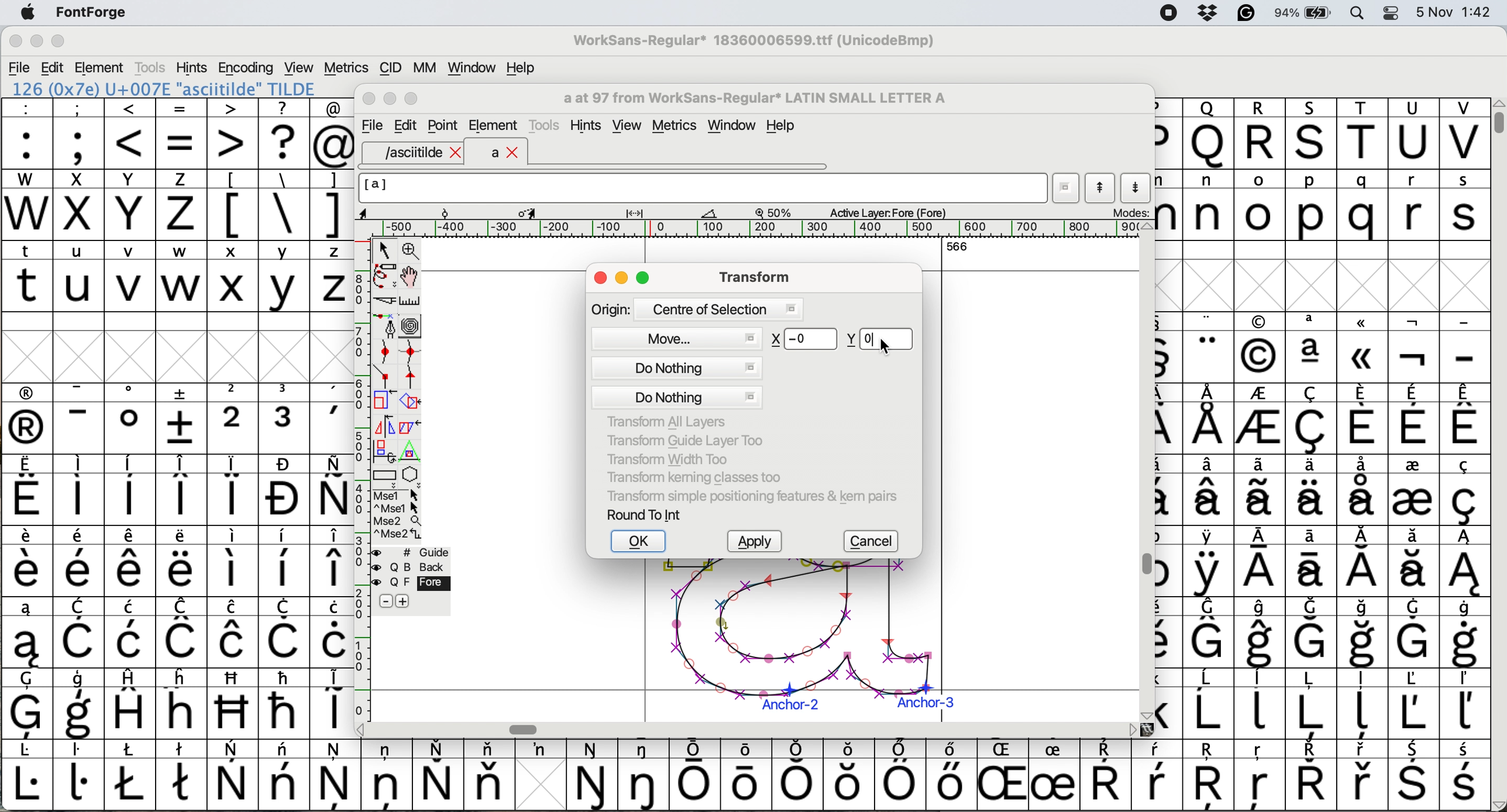 The image size is (1507, 812). Describe the element at coordinates (1365, 634) in the screenshot. I see `symbol` at that location.